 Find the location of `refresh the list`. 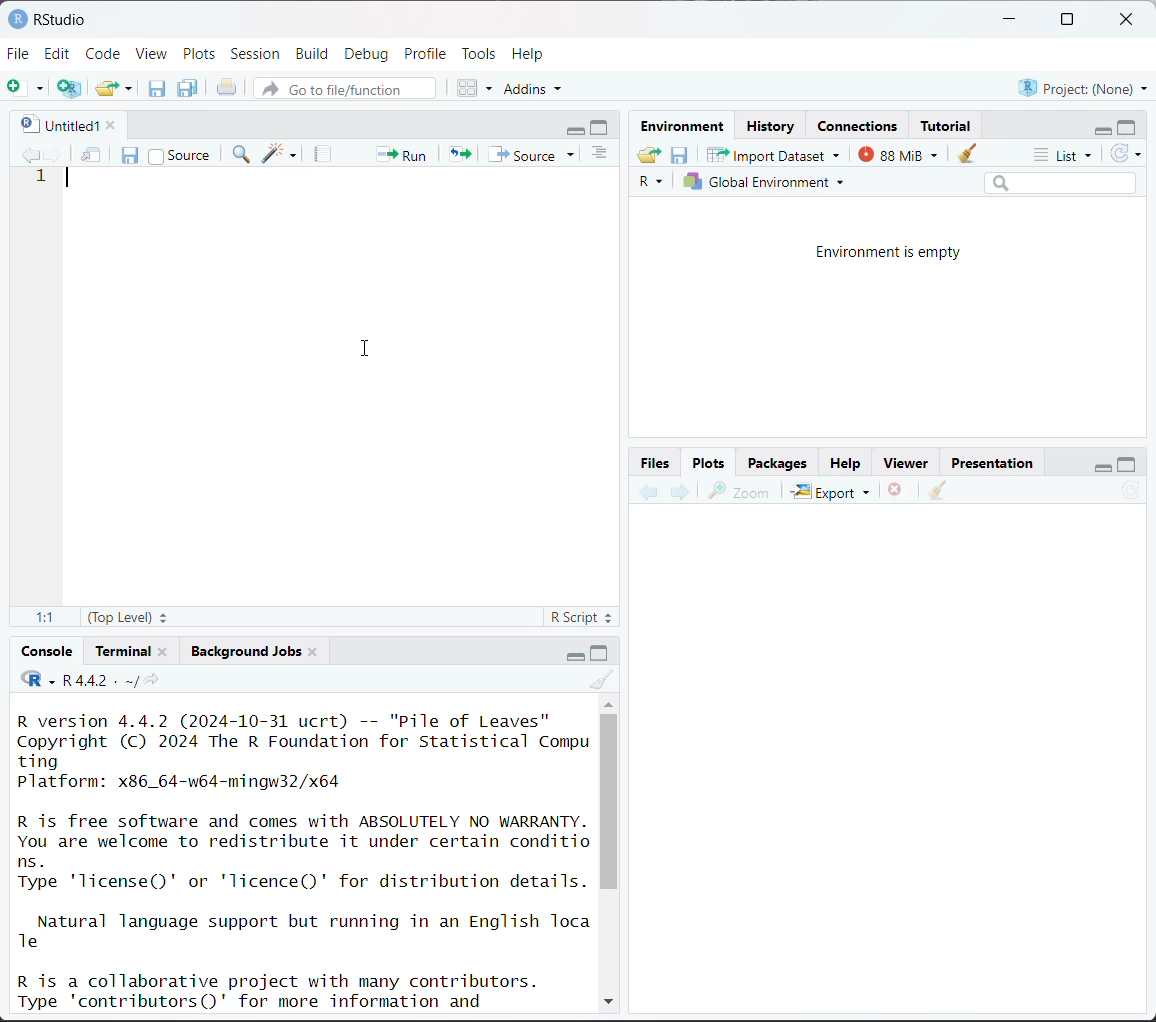

refresh the list is located at coordinates (1126, 154).